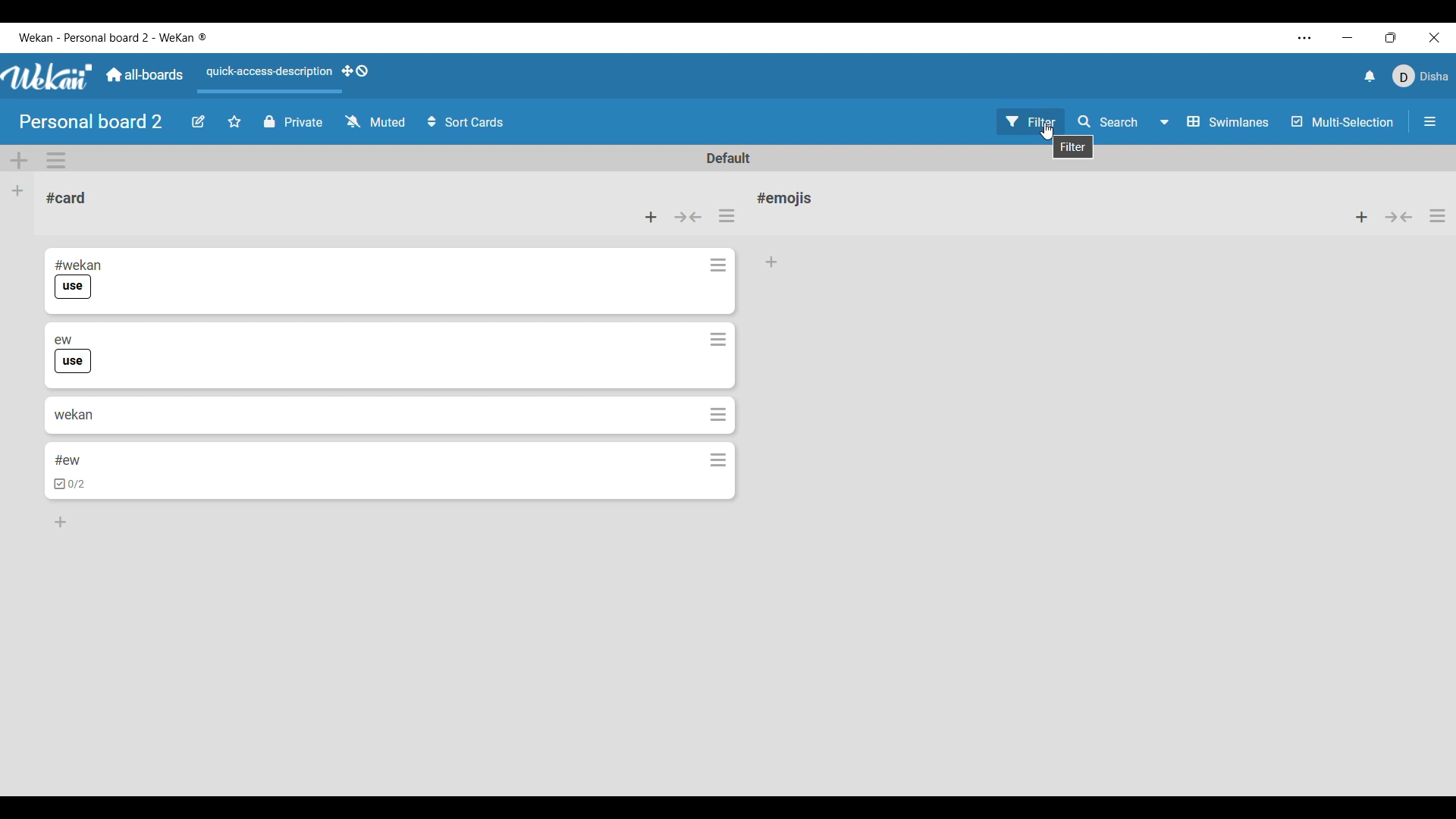 This screenshot has width=1456, height=819. Describe the element at coordinates (68, 460) in the screenshot. I see `#ew` at that location.